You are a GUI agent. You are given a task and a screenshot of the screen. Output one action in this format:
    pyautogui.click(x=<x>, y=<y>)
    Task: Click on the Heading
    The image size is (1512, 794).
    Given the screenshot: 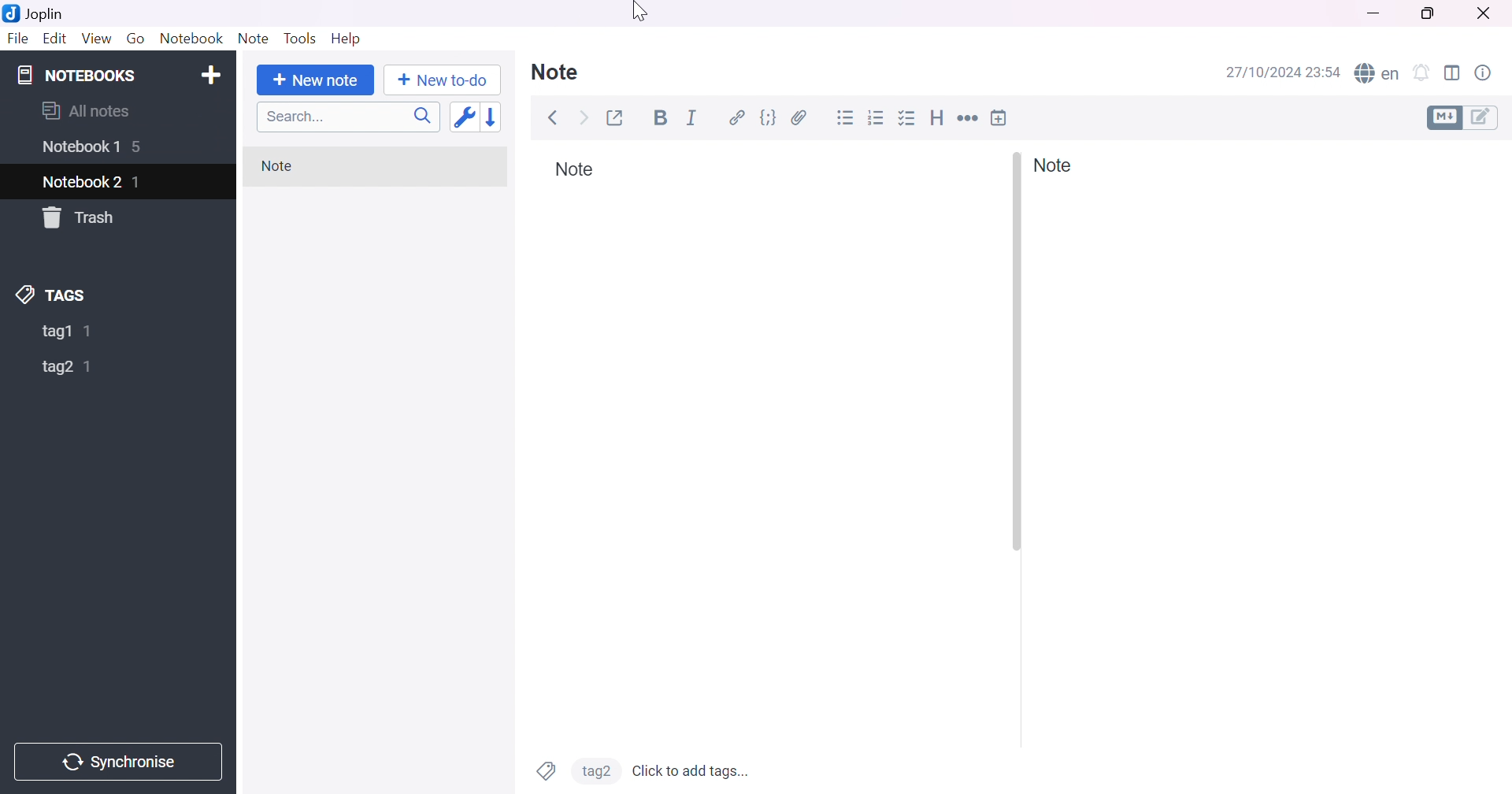 What is the action you would take?
    pyautogui.click(x=939, y=118)
    